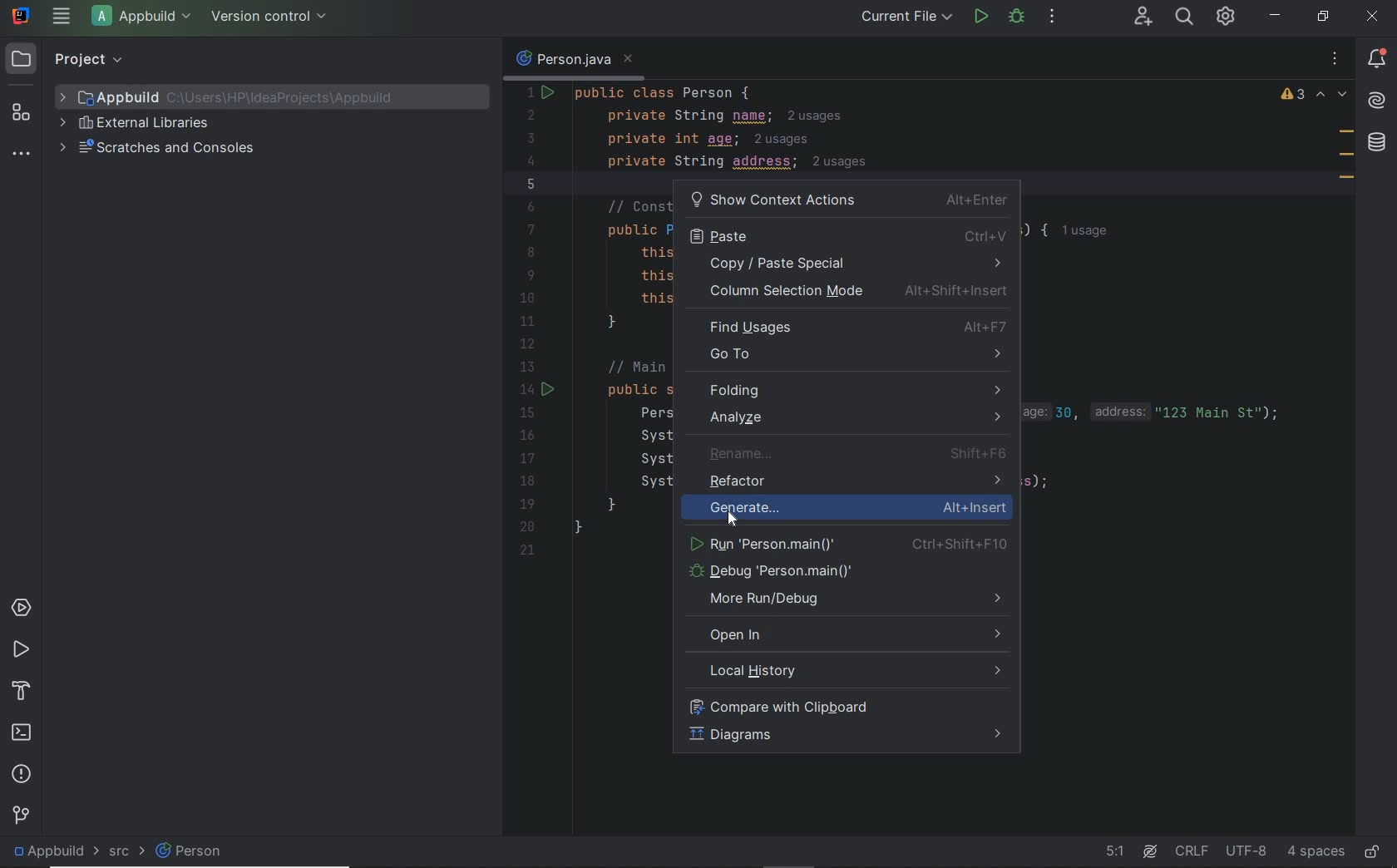  I want to click on notifications, so click(1380, 59).